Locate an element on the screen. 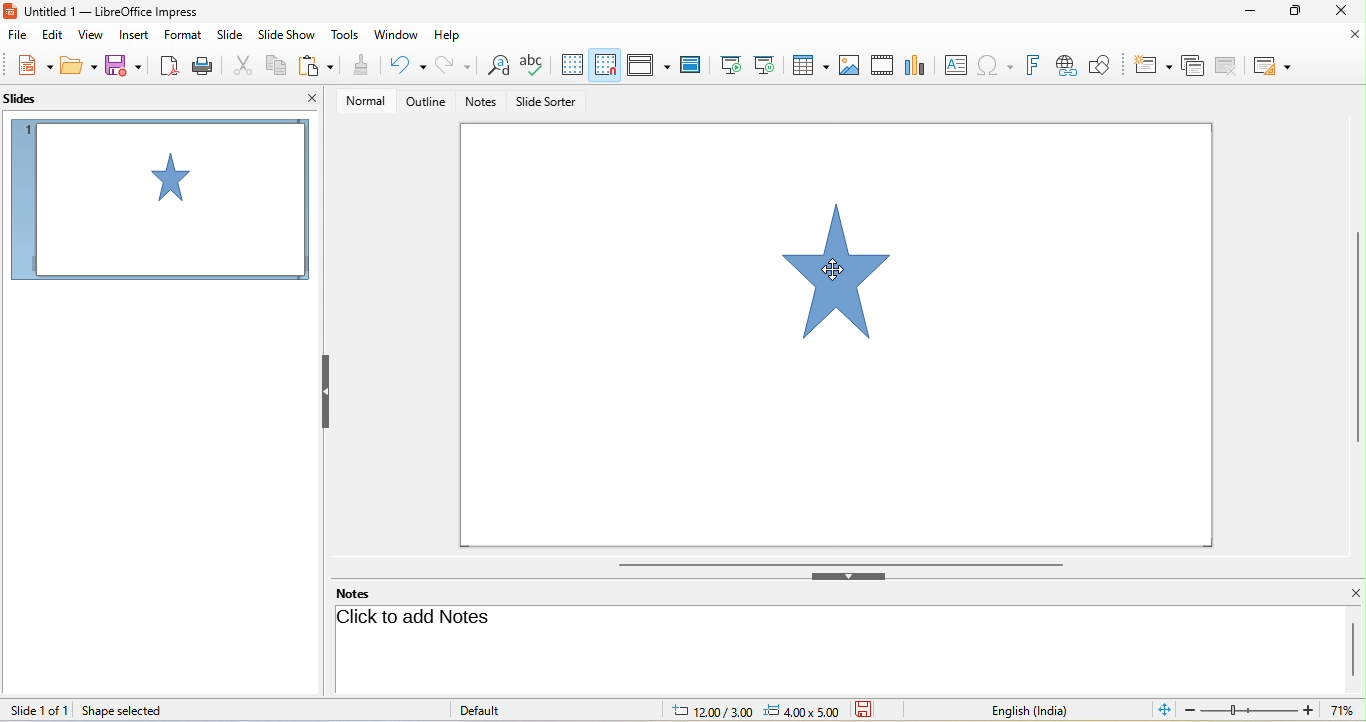 The image size is (1366, 722). cursor is located at coordinates (835, 268).